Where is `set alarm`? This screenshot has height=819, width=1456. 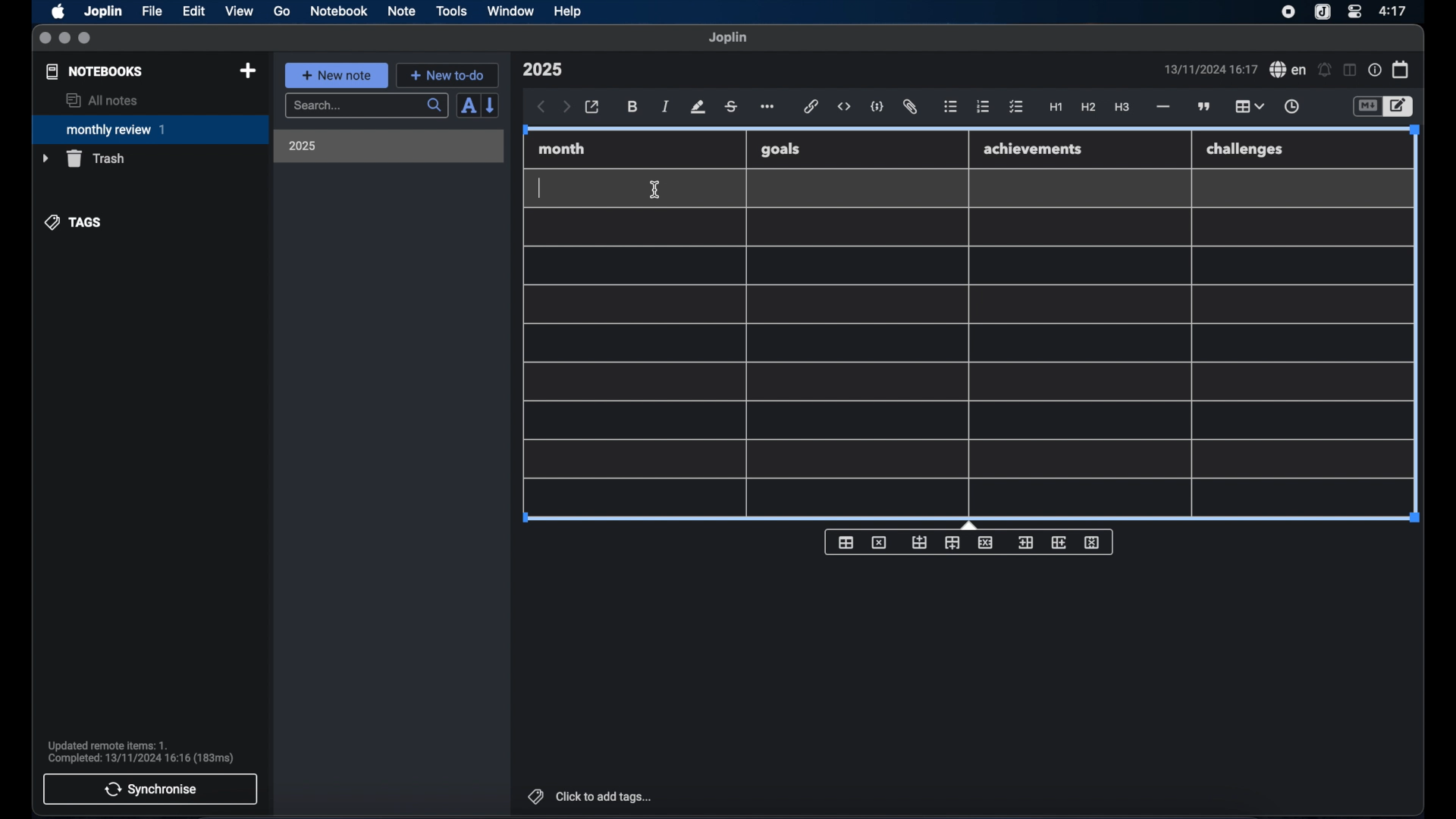
set alarm is located at coordinates (1325, 71).